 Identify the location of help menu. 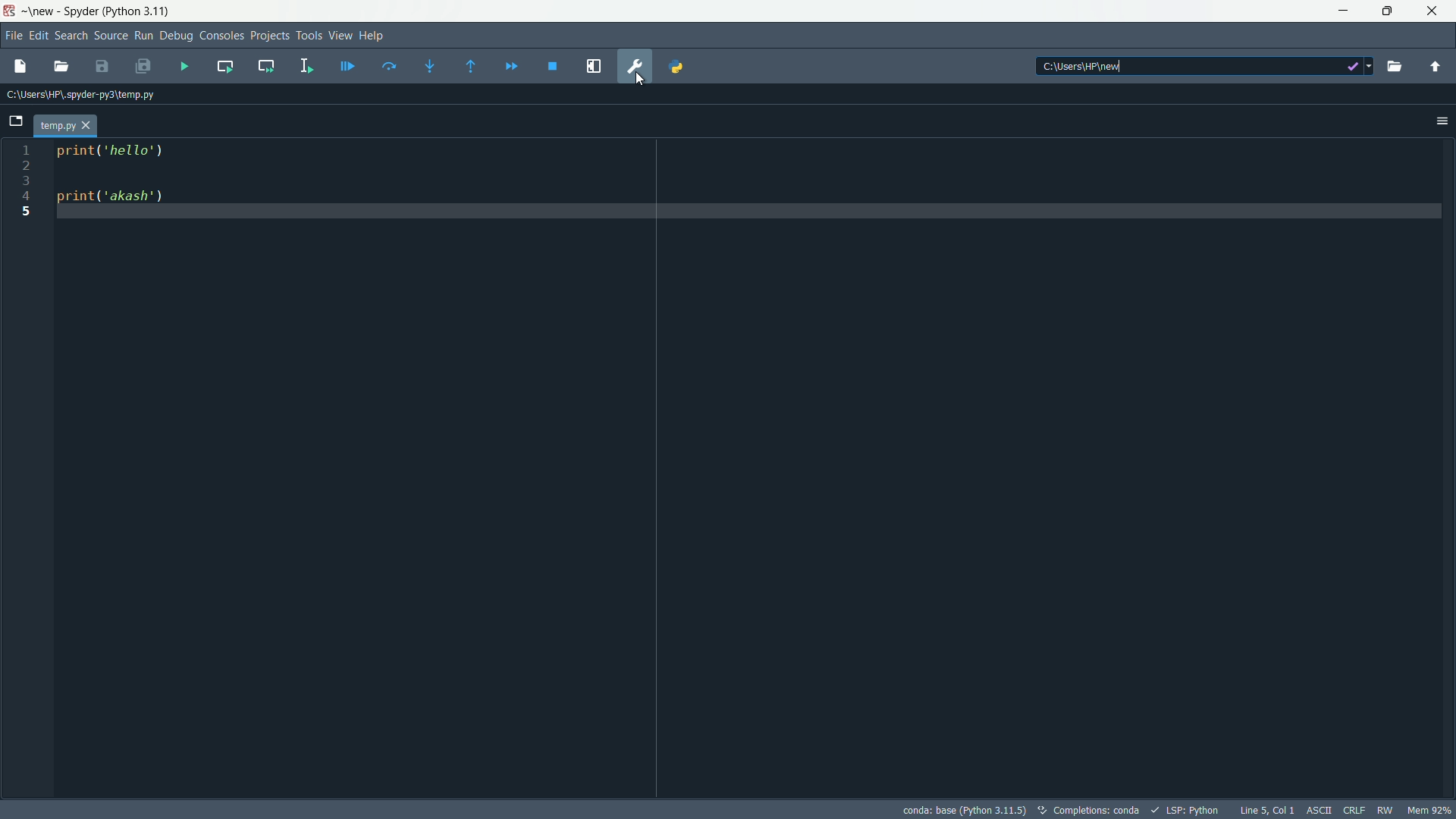
(375, 35).